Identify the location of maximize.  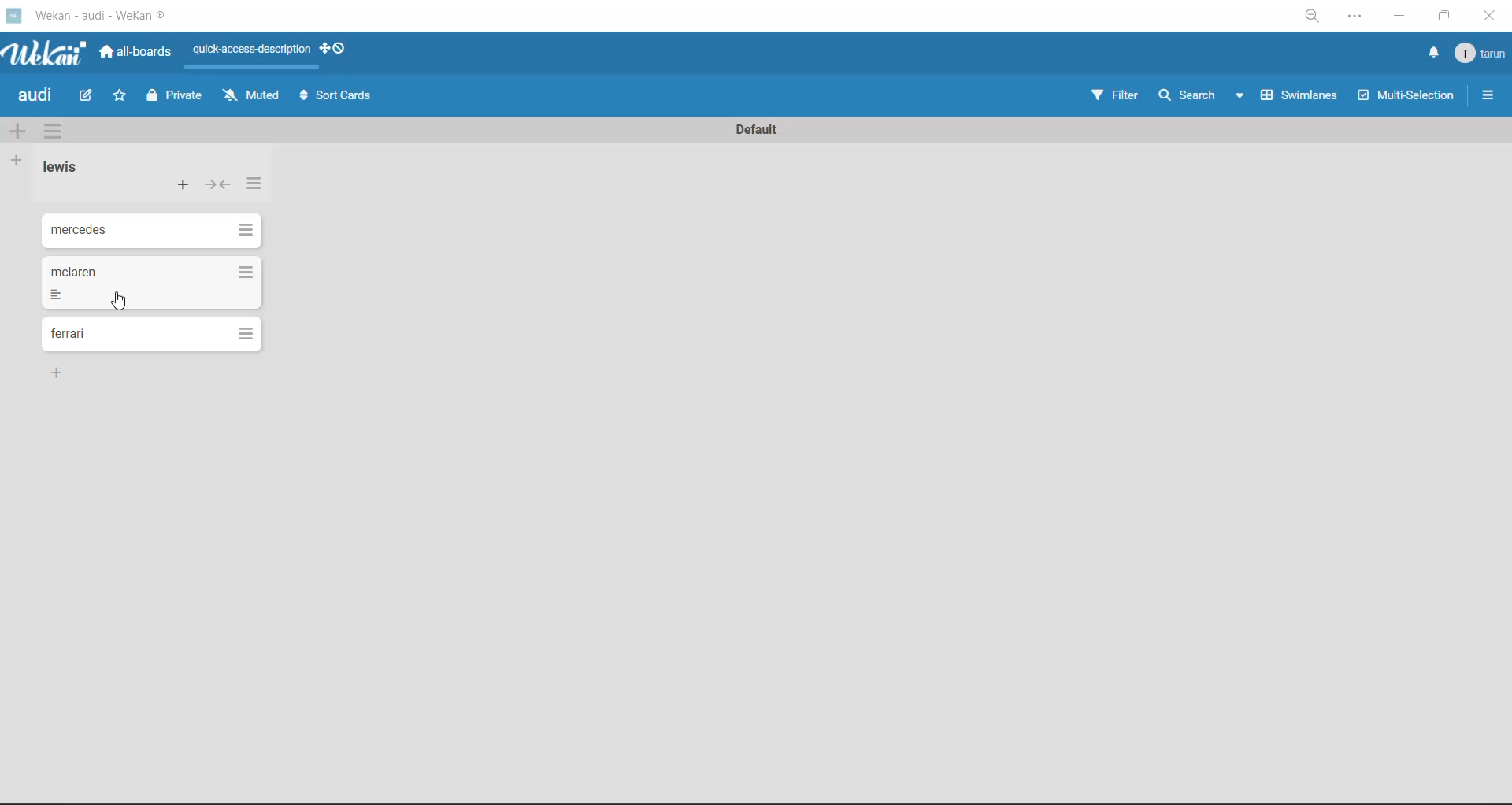
(1448, 15).